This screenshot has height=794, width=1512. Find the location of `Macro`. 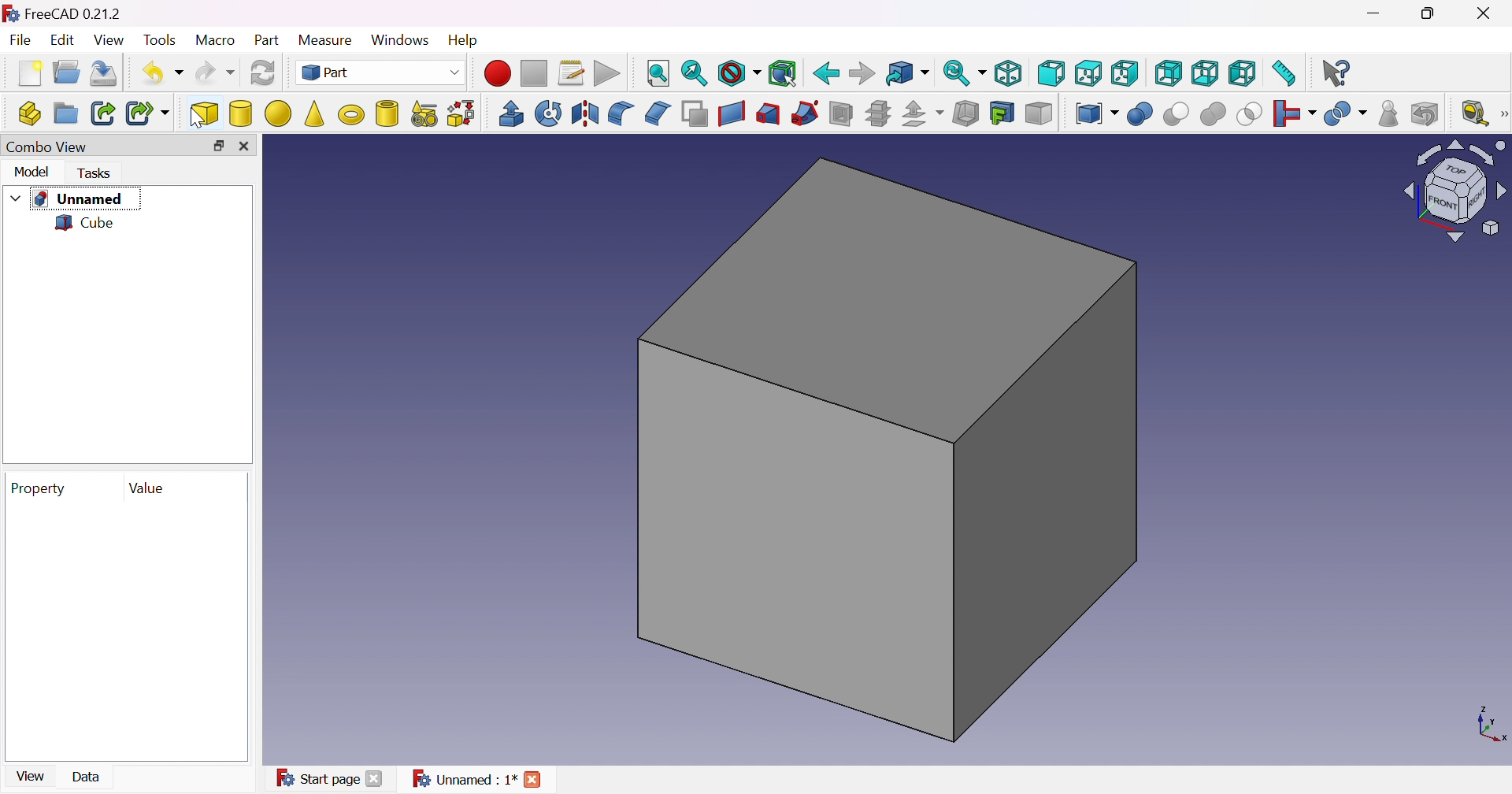

Macro is located at coordinates (216, 41).